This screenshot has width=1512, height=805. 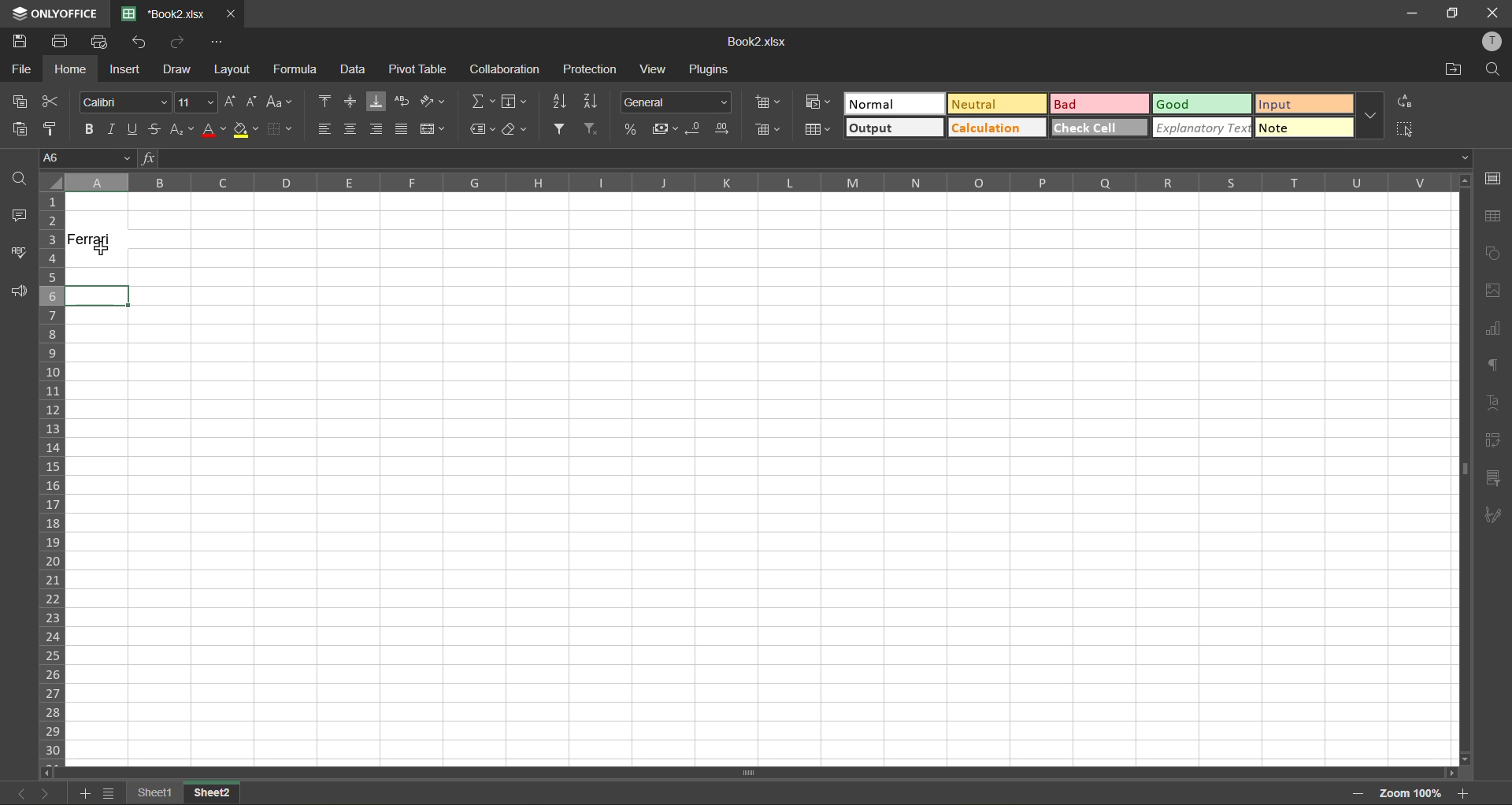 I want to click on align top, so click(x=325, y=101).